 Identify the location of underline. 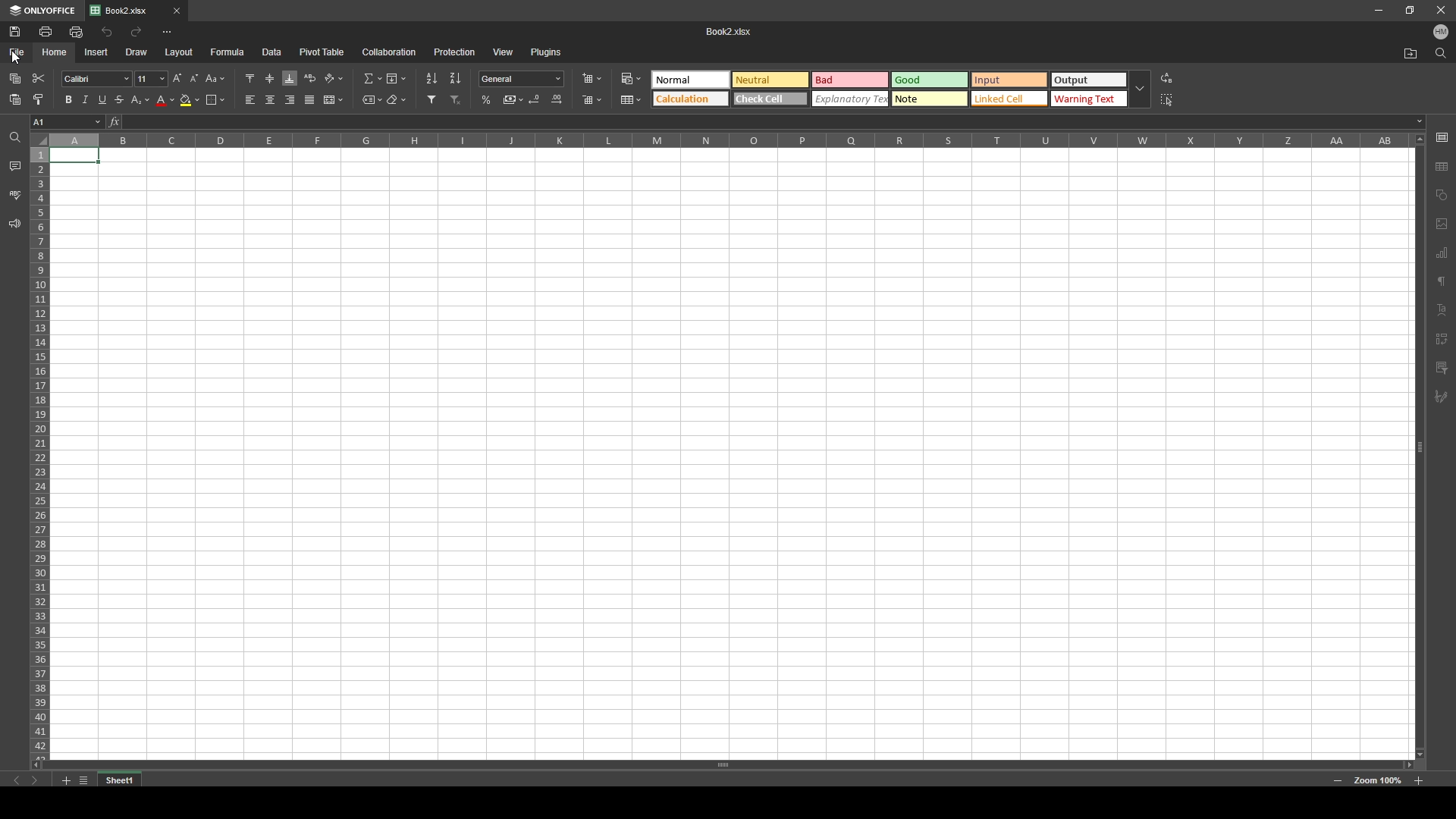
(100, 101).